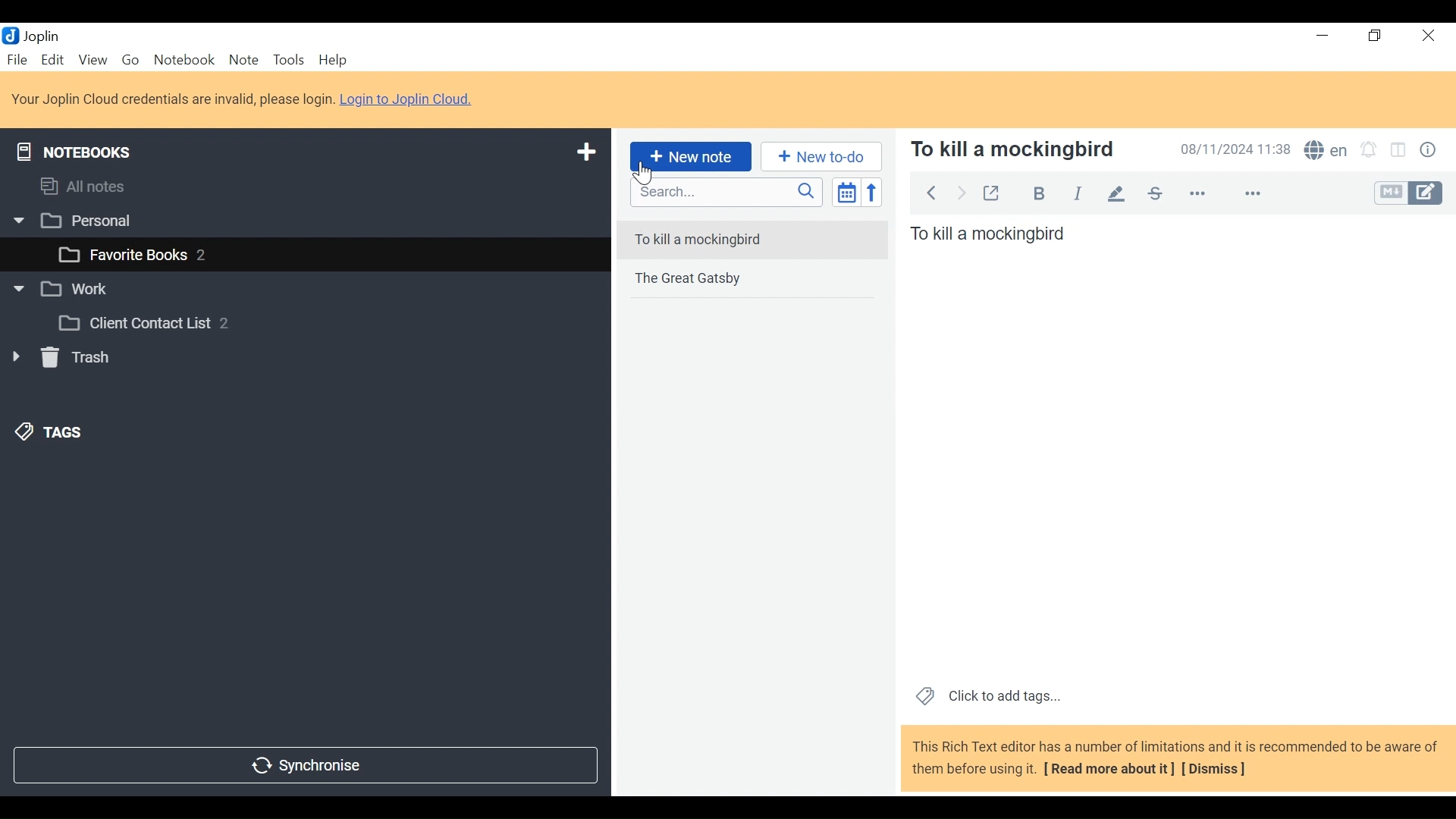 Image resolution: width=1456 pixels, height=819 pixels. What do you see at coordinates (752, 240) in the screenshot?
I see `To kill a mockingbird` at bounding box center [752, 240].